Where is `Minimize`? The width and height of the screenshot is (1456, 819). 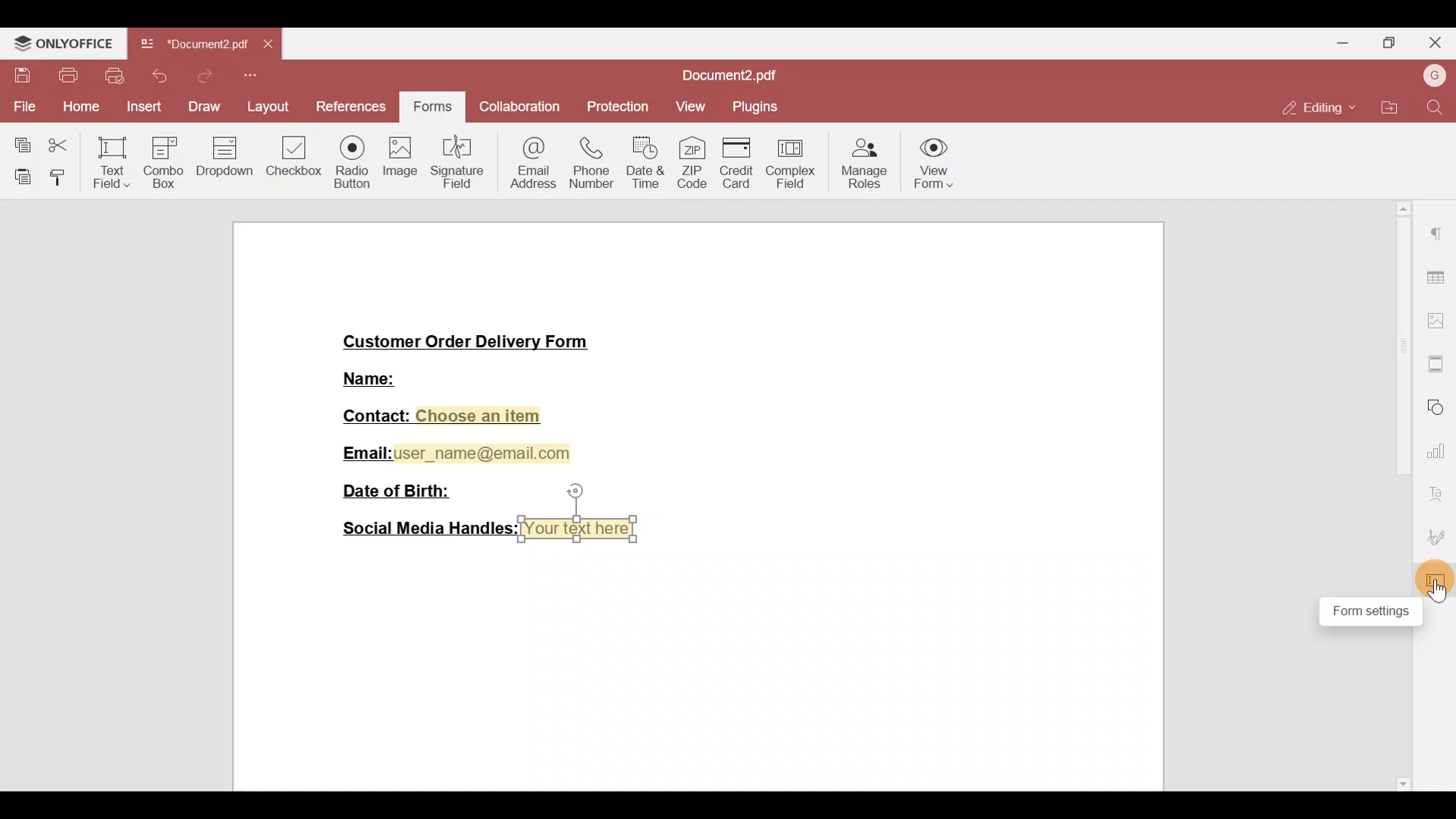 Minimize is located at coordinates (1343, 42).